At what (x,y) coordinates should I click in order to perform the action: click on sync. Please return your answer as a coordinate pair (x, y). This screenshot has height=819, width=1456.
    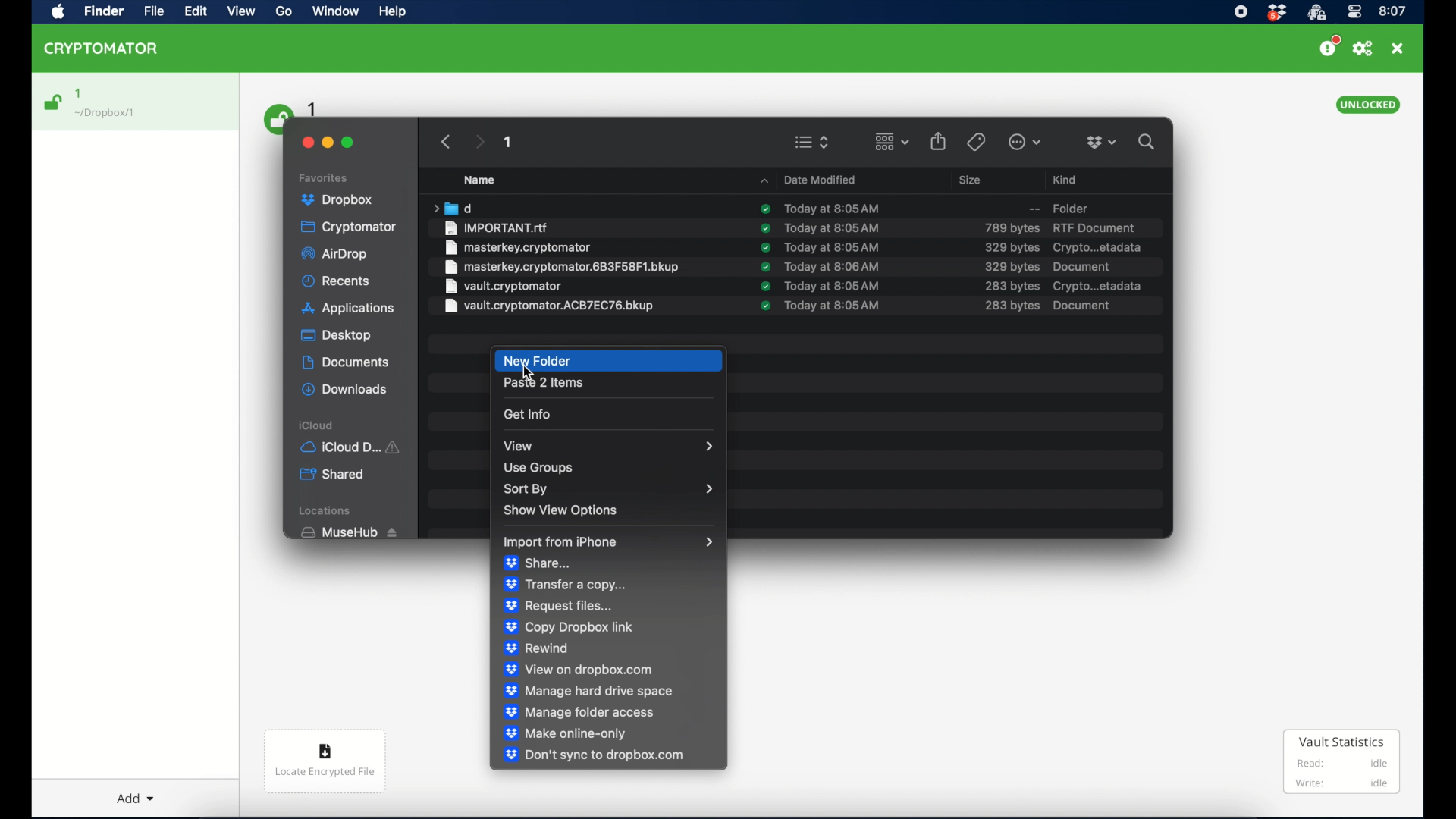
    Looking at the image, I should click on (765, 209).